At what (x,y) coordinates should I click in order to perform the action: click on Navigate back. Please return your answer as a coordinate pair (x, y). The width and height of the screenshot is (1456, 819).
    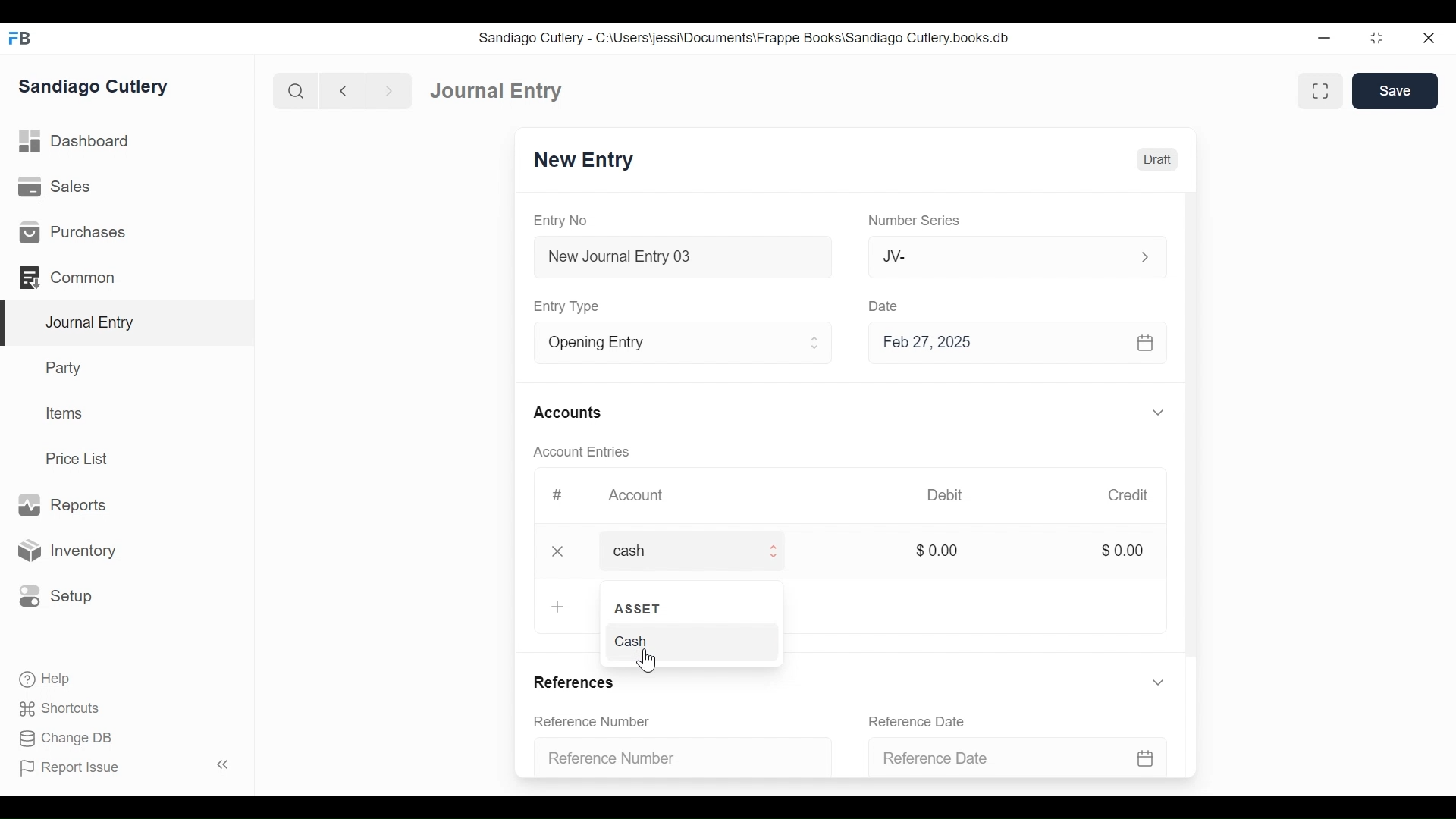
    Looking at the image, I should click on (341, 91).